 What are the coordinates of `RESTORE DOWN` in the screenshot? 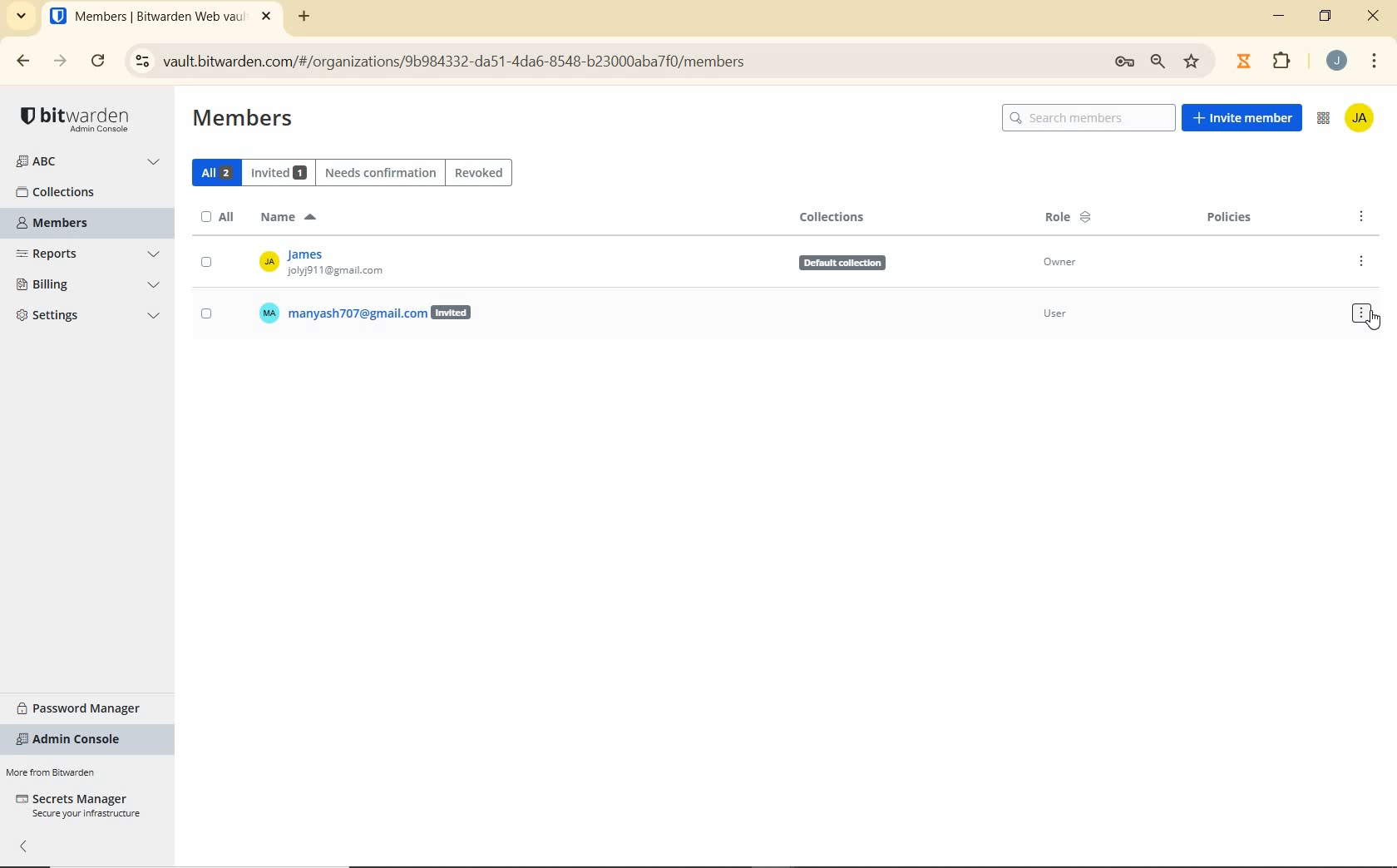 It's located at (1327, 19).